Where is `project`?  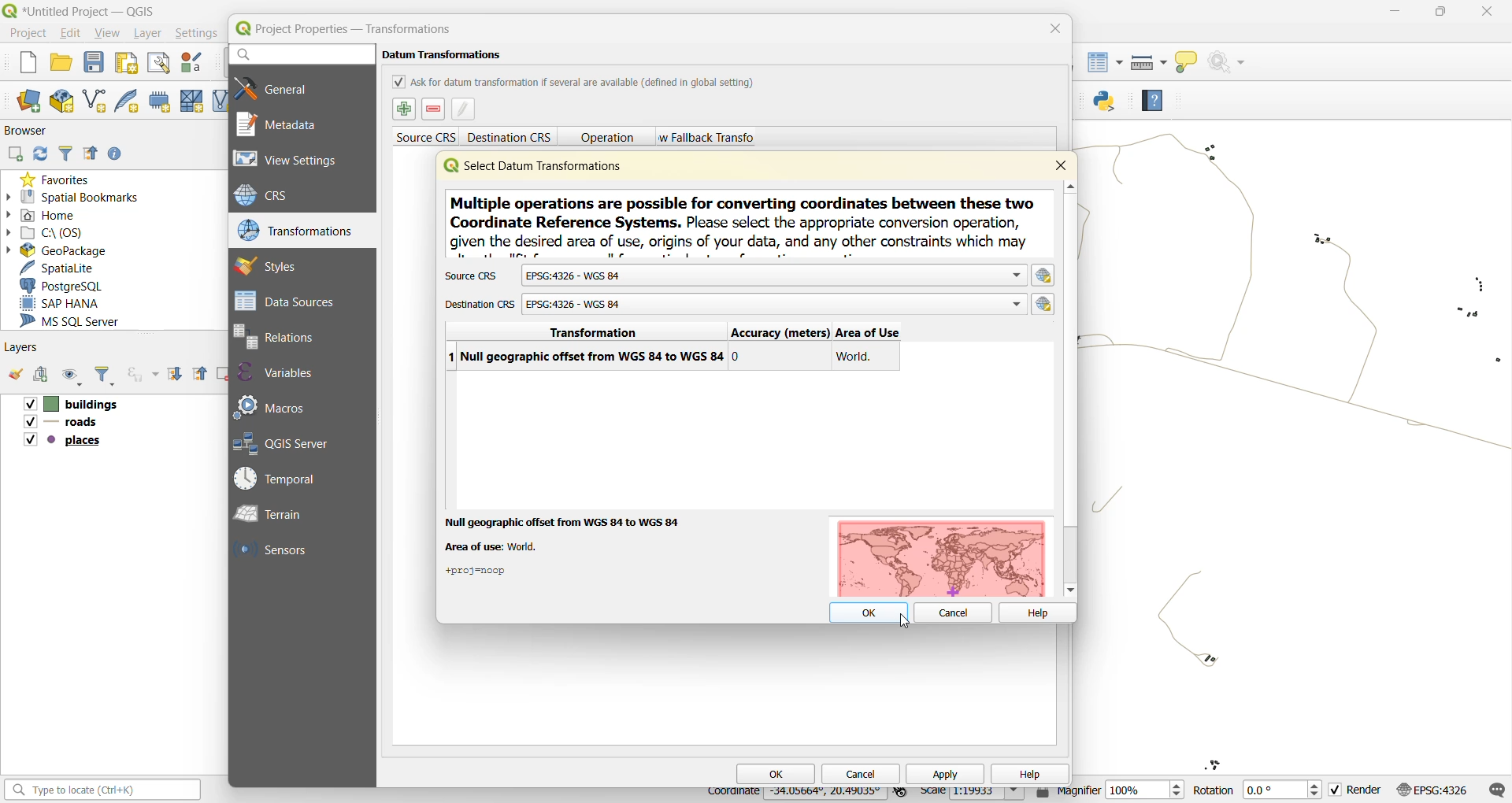 project is located at coordinates (25, 31).